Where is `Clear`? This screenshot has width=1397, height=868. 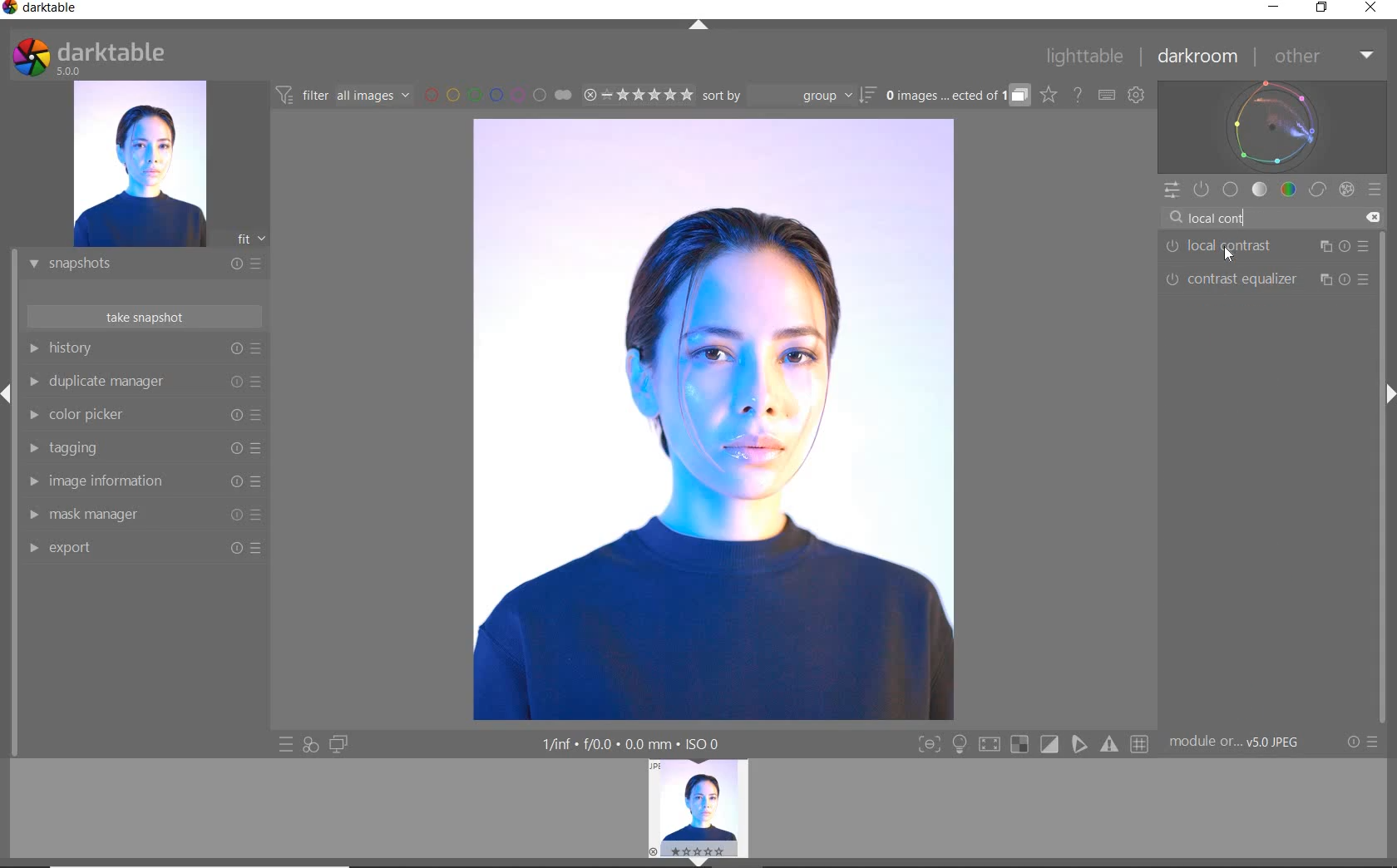
Clear is located at coordinates (1372, 218).